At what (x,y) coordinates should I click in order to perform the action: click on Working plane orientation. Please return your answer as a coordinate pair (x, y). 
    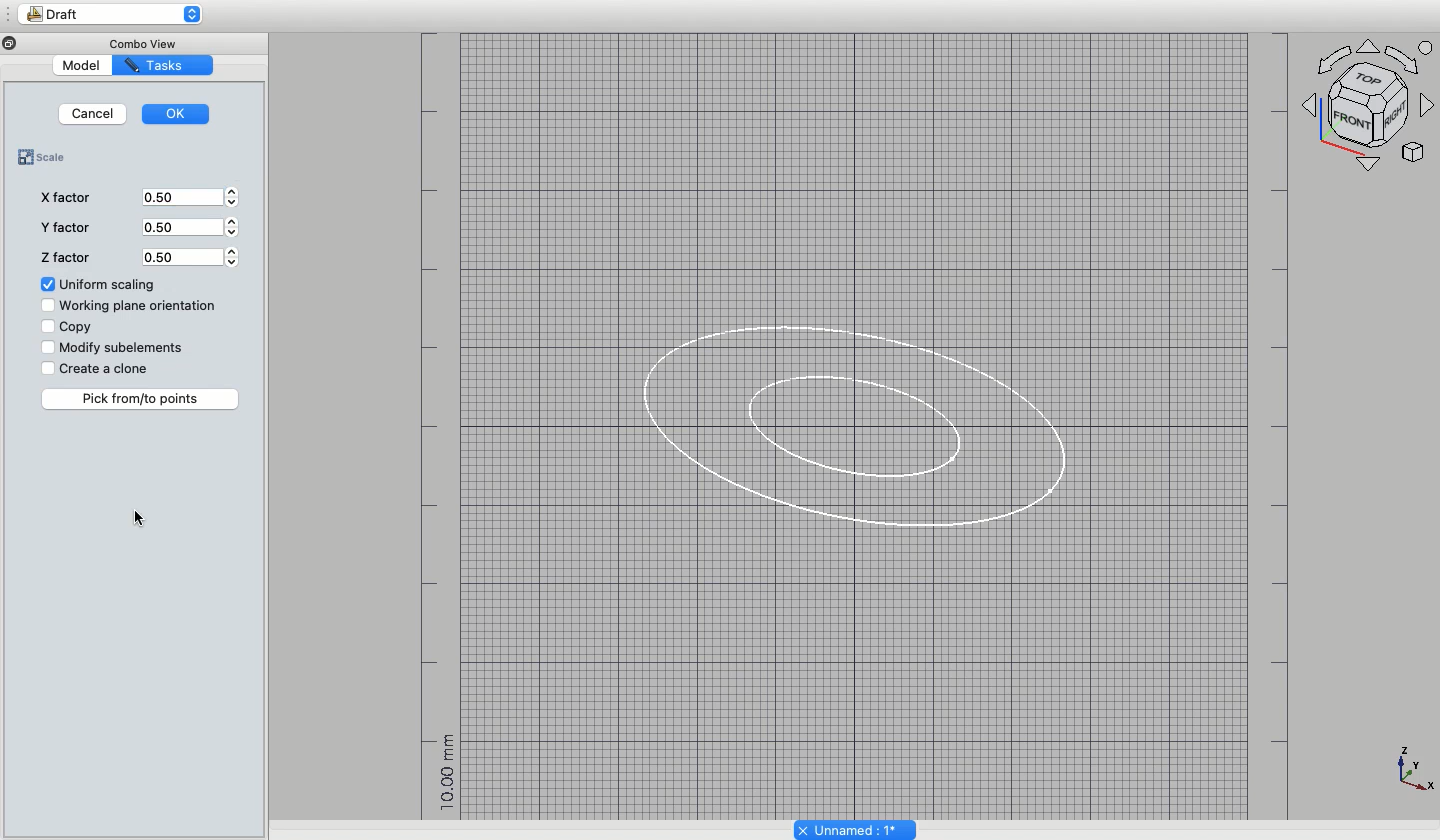
    Looking at the image, I should click on (131, 306).